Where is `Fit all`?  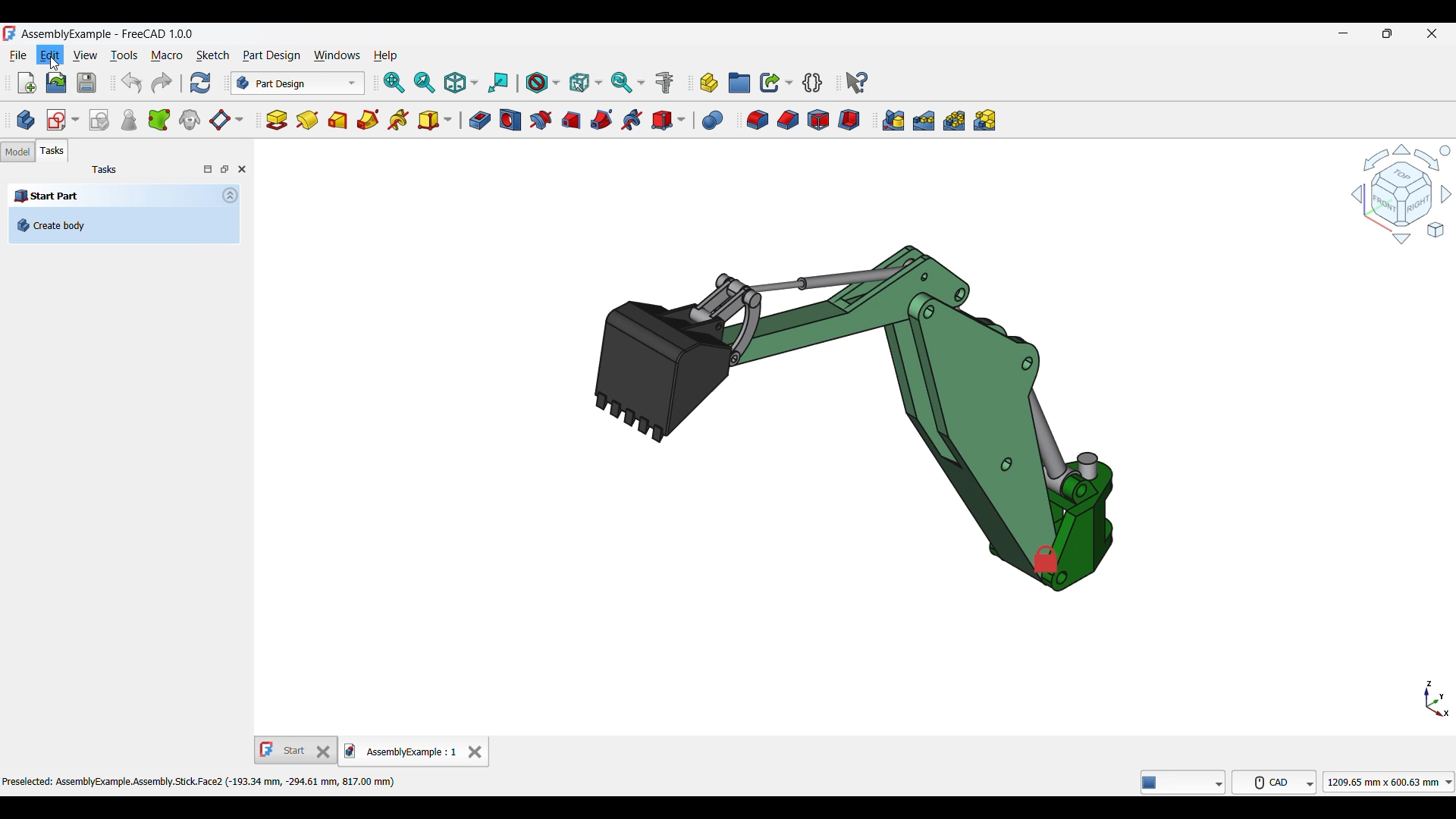
Fit all is located at coordinates (394, 83).